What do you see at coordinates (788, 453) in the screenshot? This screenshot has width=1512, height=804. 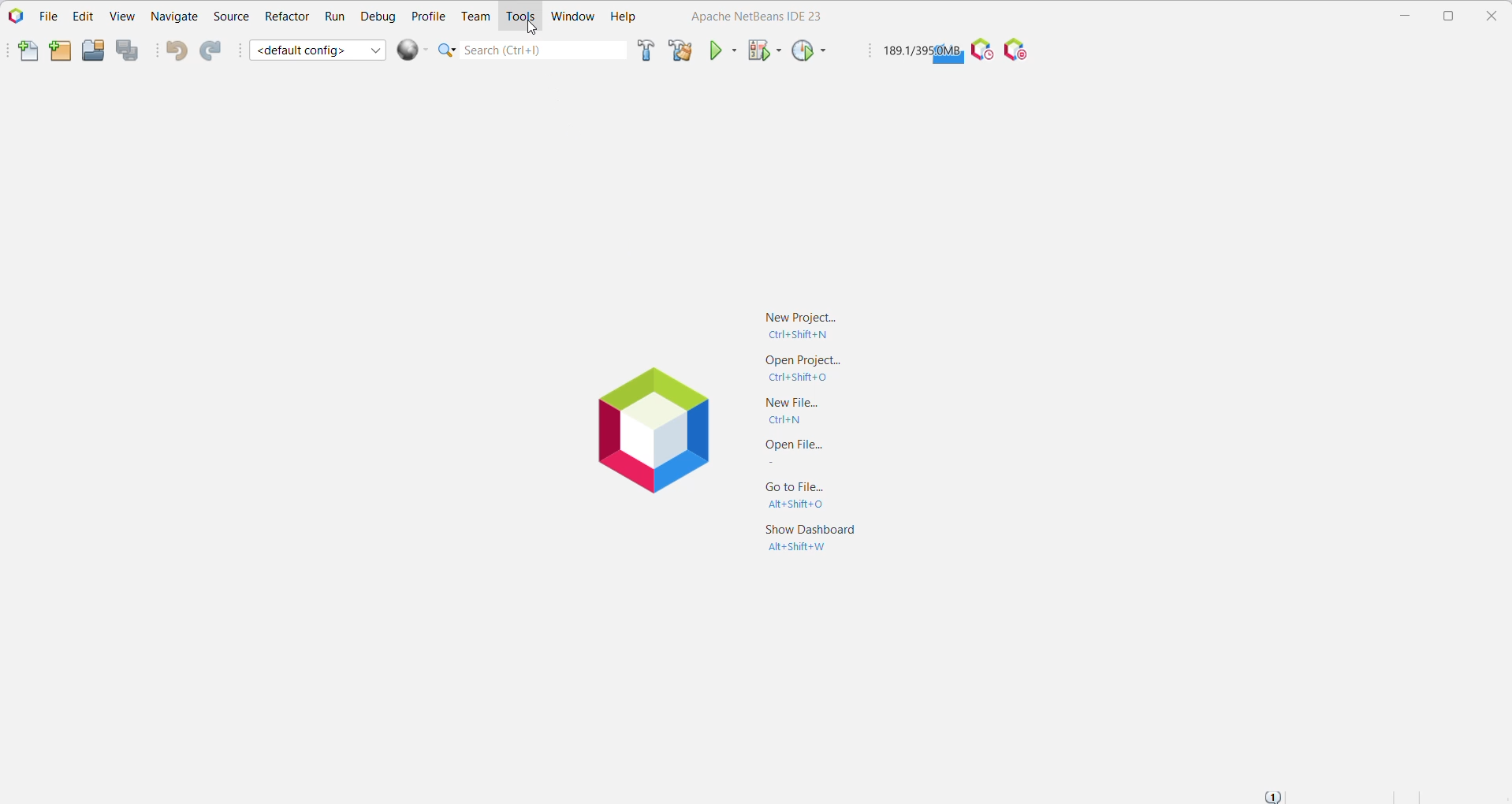 I see `Open File` at bounding box center [788, 453].